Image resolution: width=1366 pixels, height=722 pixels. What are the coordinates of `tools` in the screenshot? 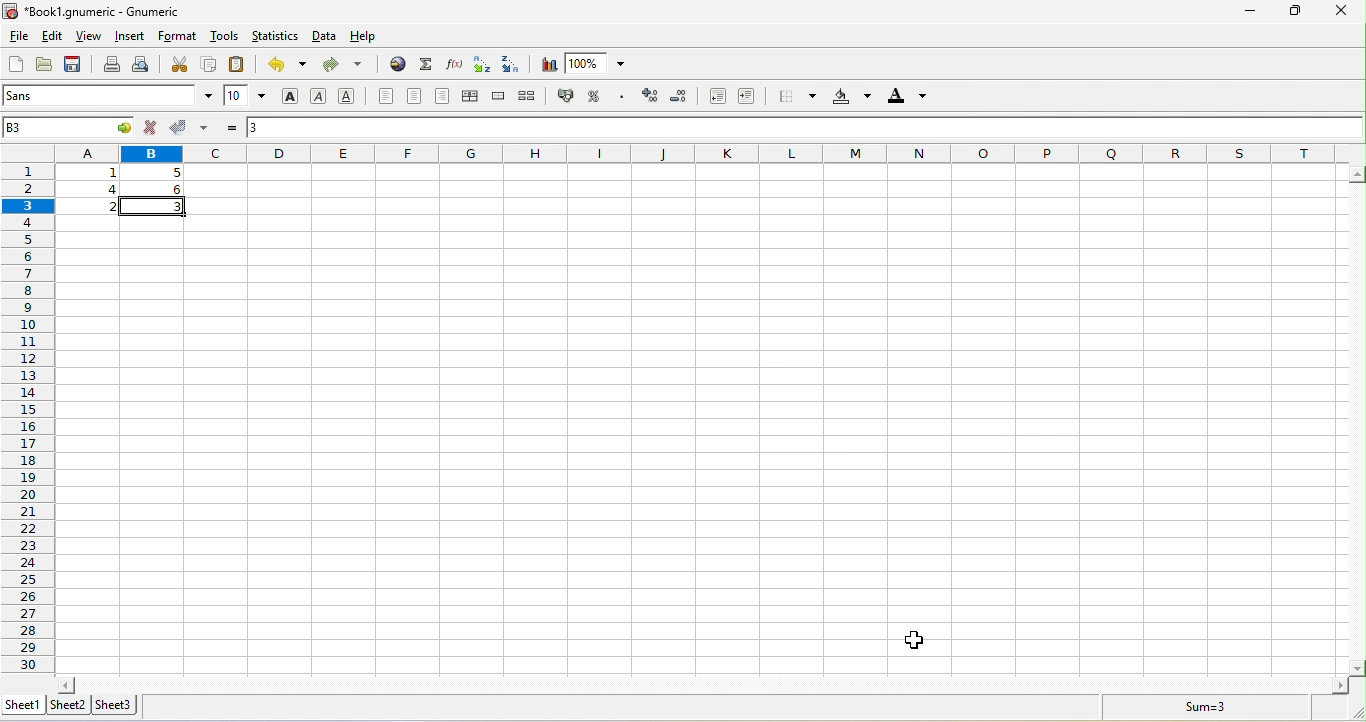 It's located at (222, 38).